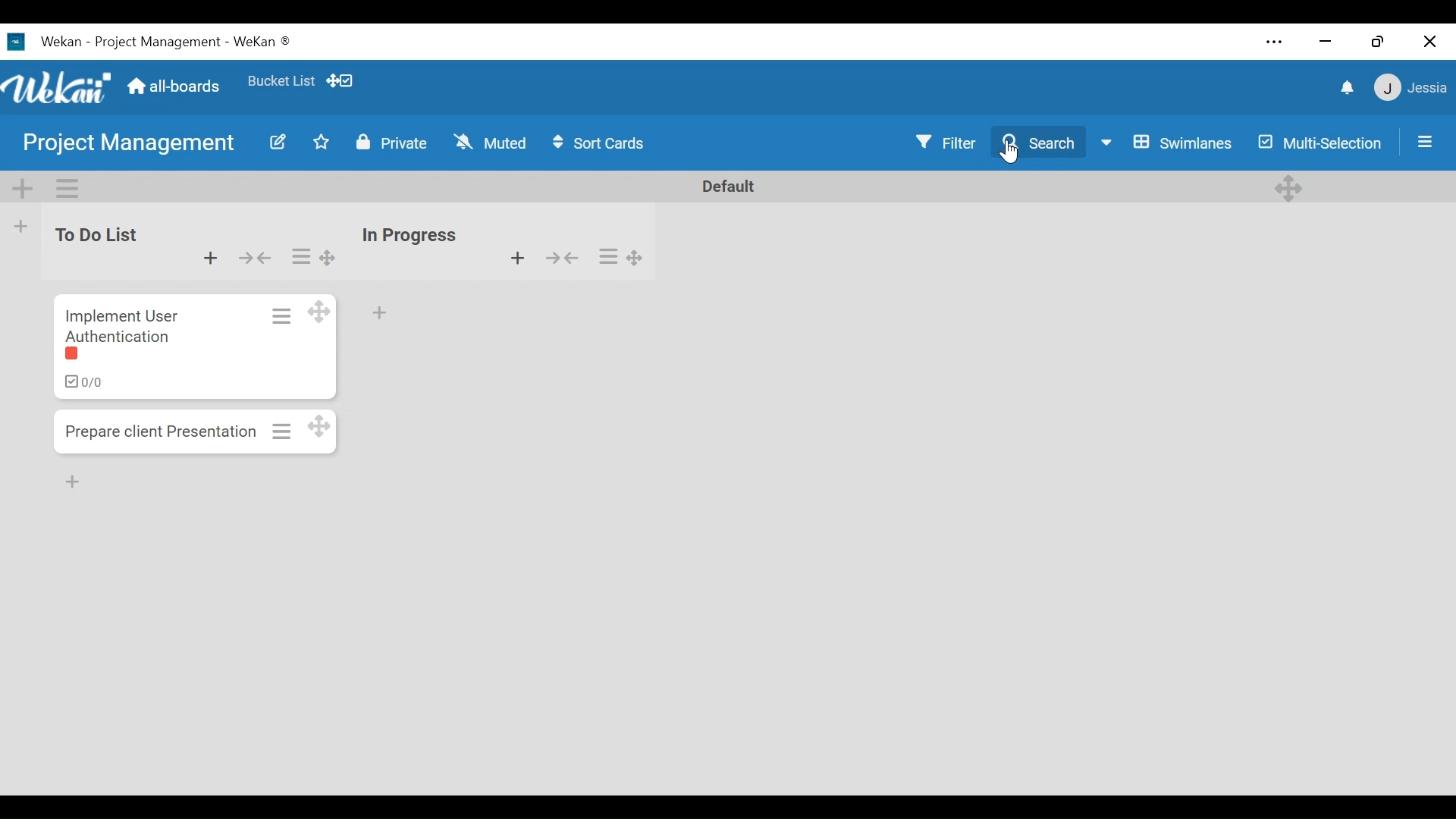  Describe the element at coordinates (519, 261) in the screenshot. I see `Add card to top of the list` at that location.